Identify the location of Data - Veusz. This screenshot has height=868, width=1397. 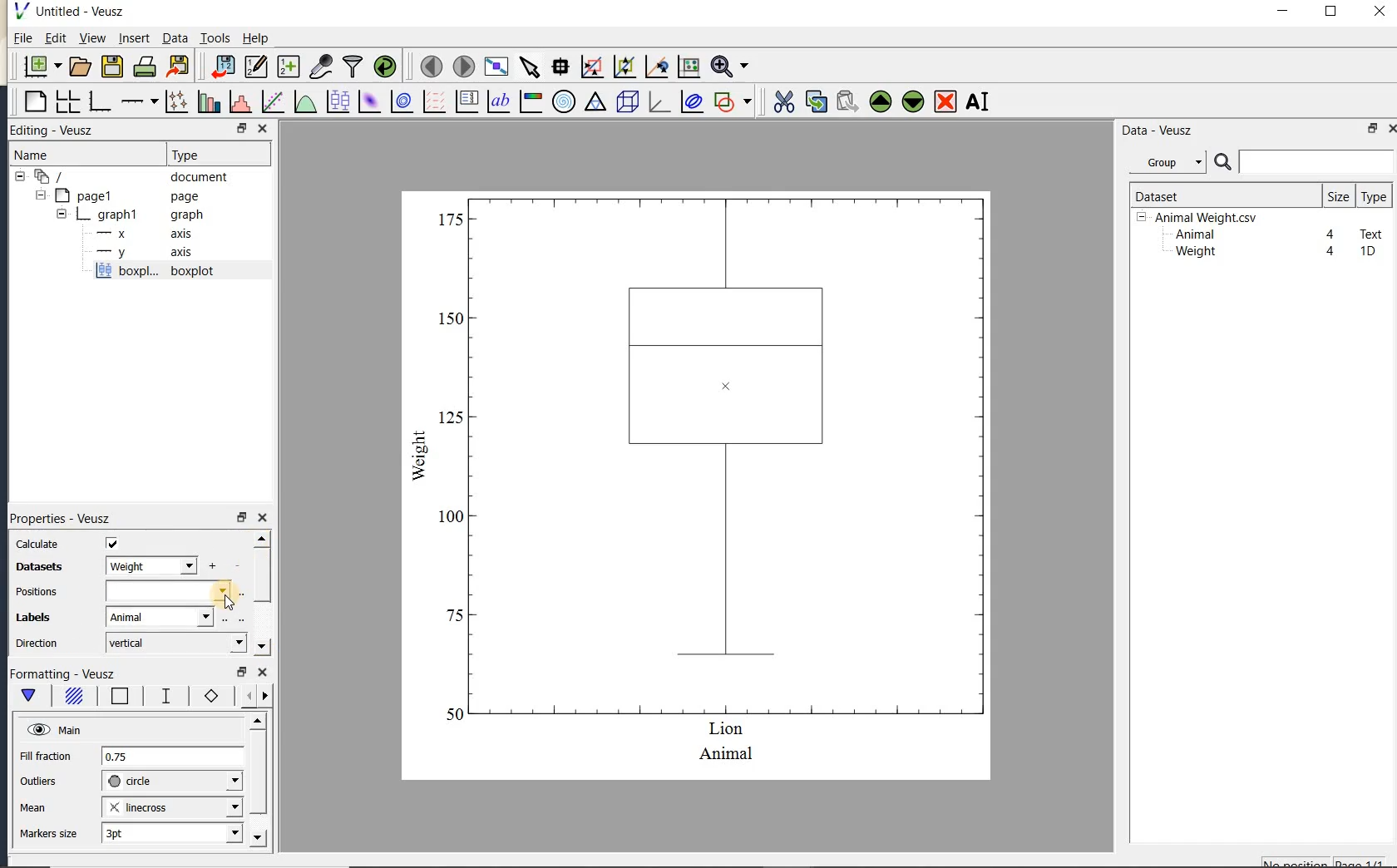
(1172, 163).